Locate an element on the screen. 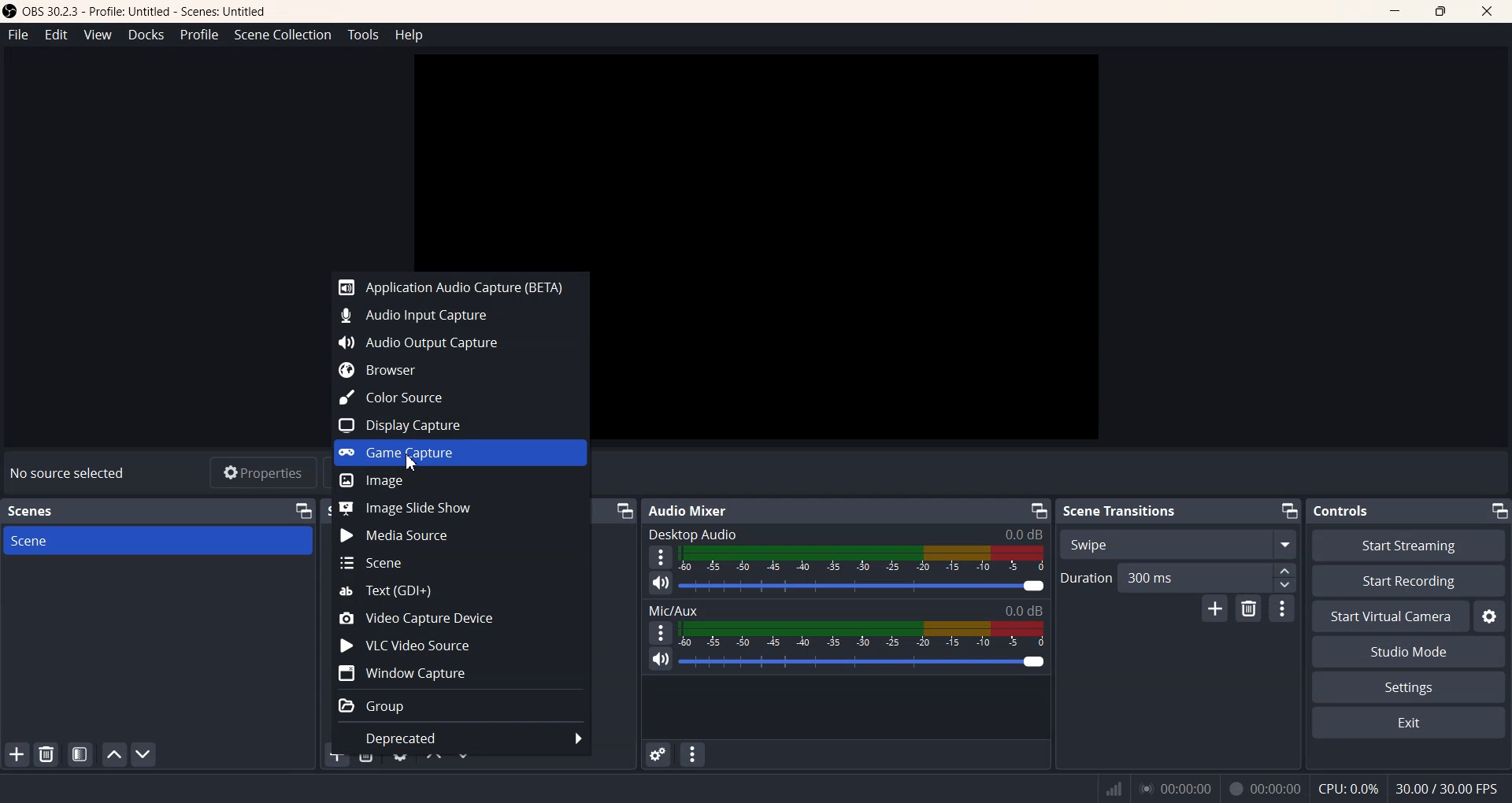 This screenshot has height=803, width=1512. Audio Input Capture is located at coordinates (454, 313).